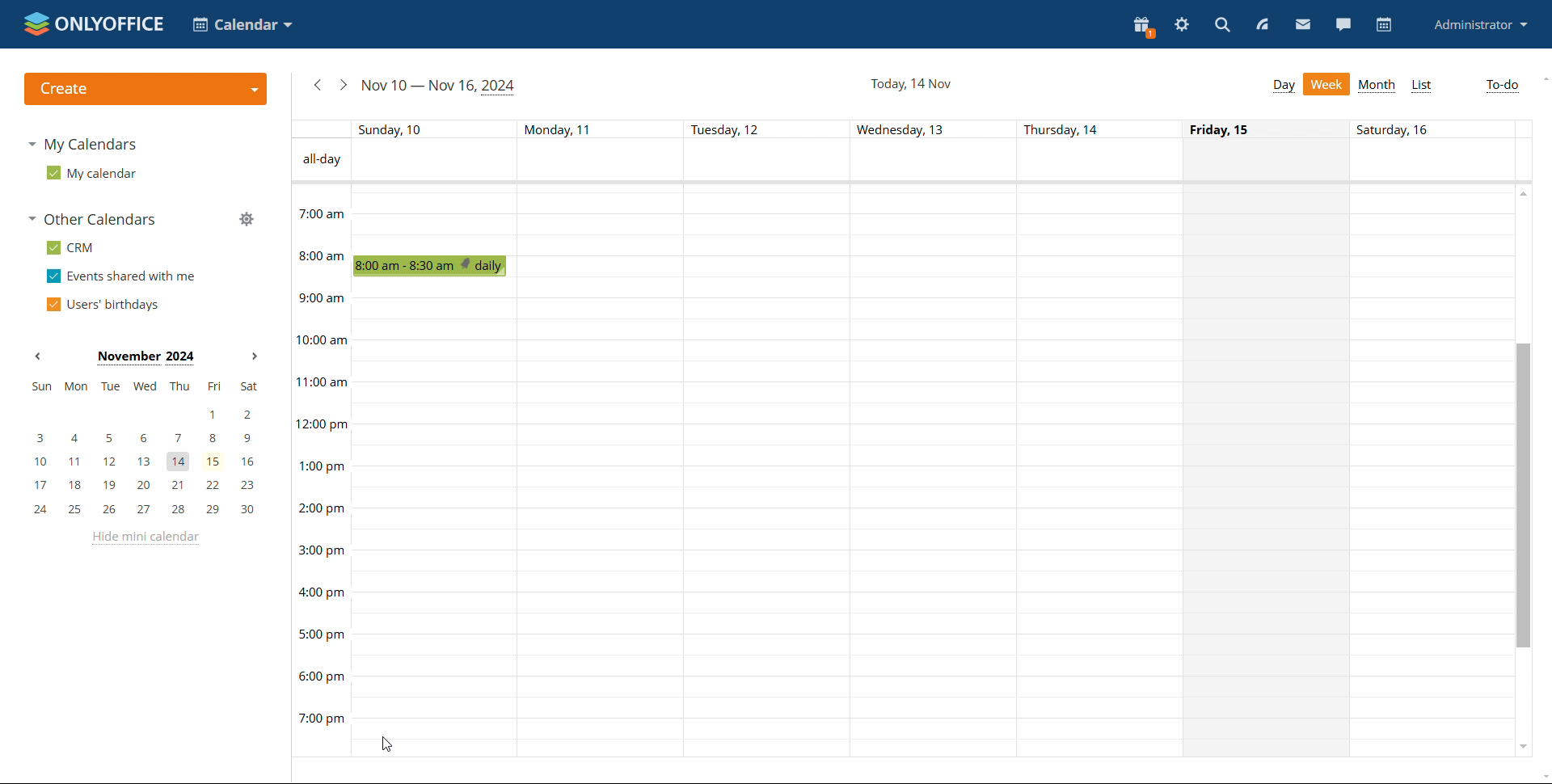 This screenshot has width=1552, height=784. I want to click on other calendars, so click(91, 219).